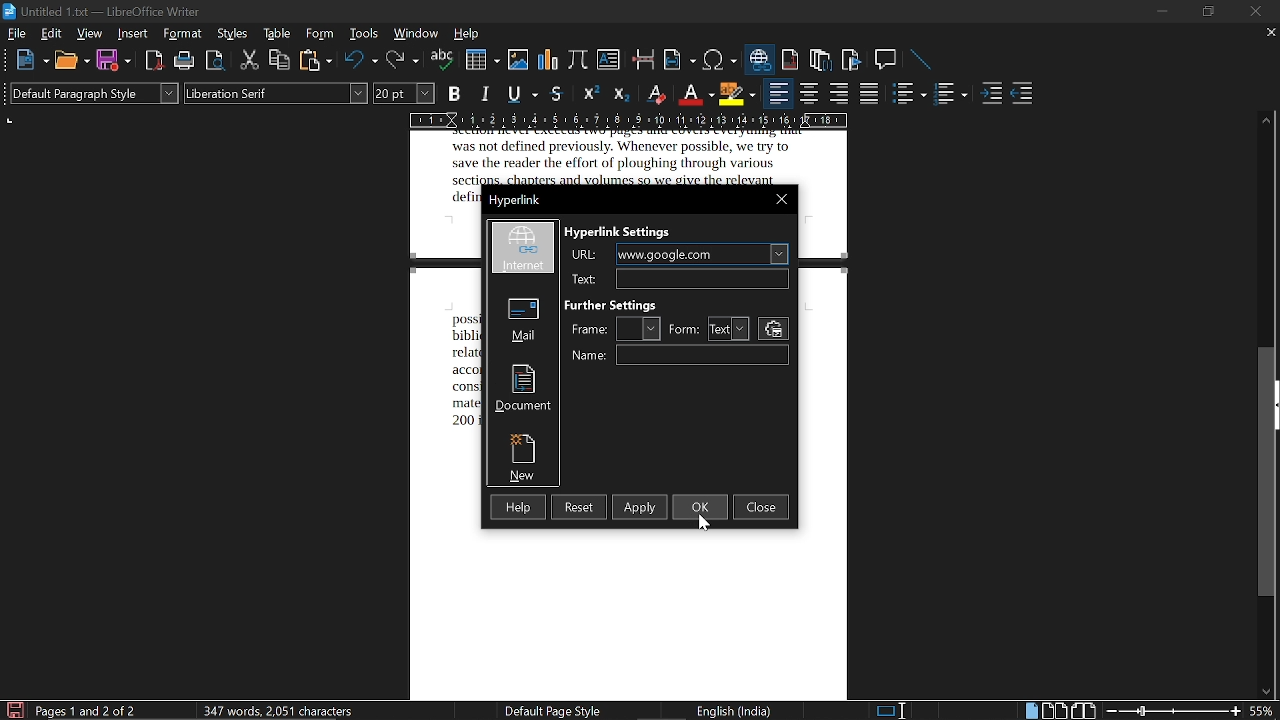 Image resolution: width=1280 pixels, height=720 pixels. Describe the element at coordinates (1269, 35) in the screenshot. I see `close current tab` at that location.